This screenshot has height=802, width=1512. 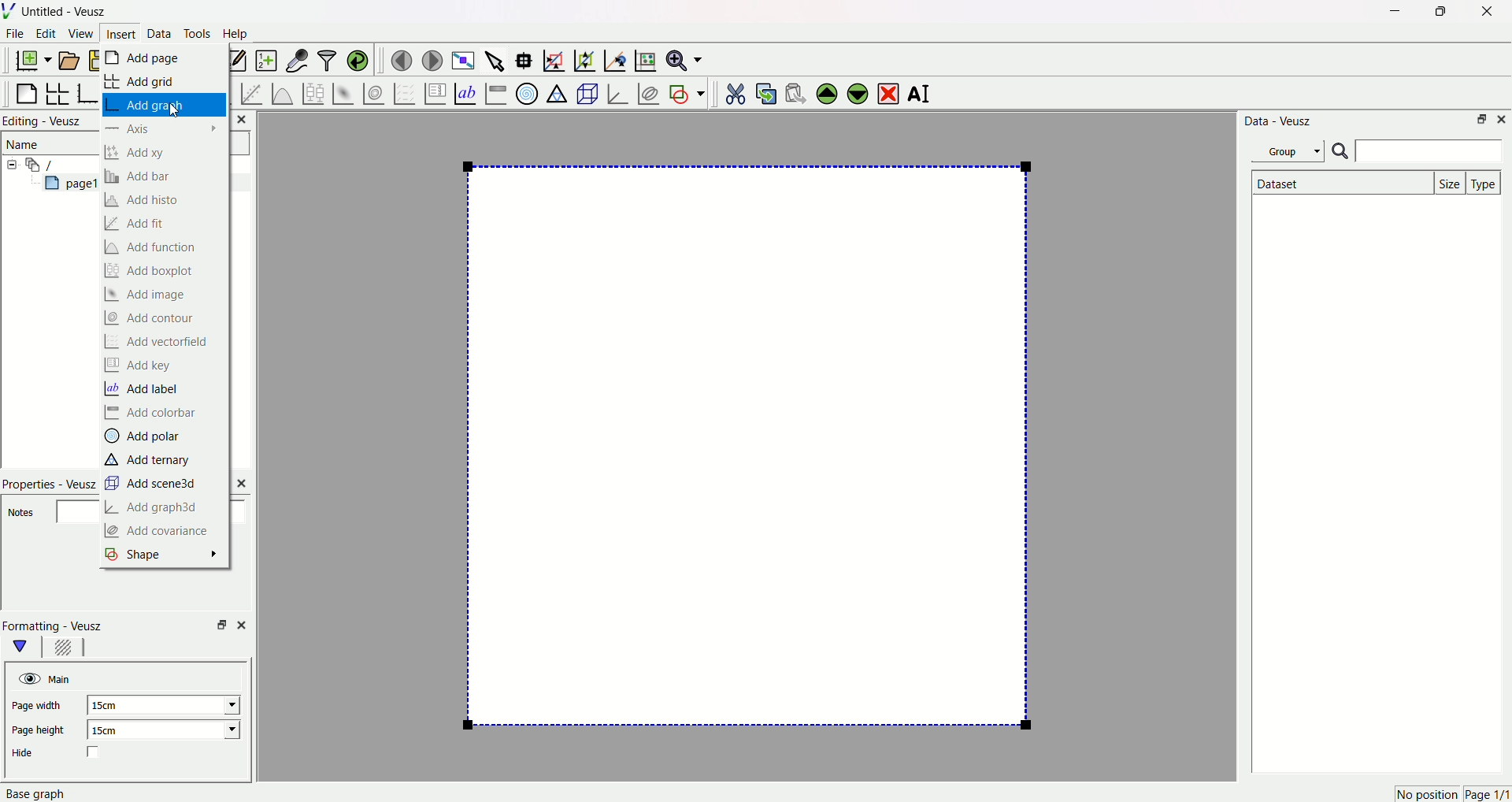 What do you see at coordinates (95, 753) in the screenshot?
I see `checkbox` at bounding box center [95, 753].